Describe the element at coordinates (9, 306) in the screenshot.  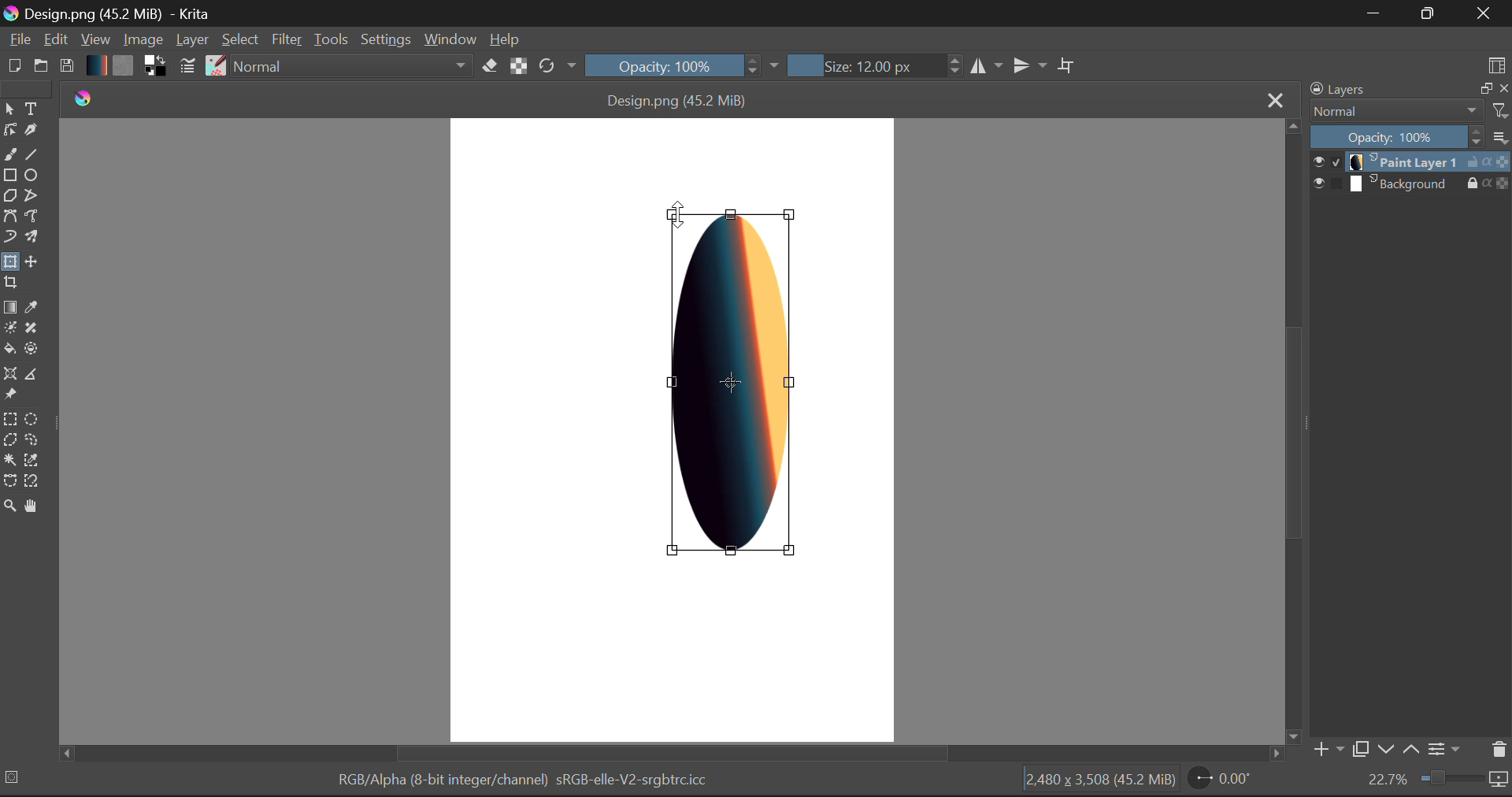
I see `Gradient Fill` at that location.